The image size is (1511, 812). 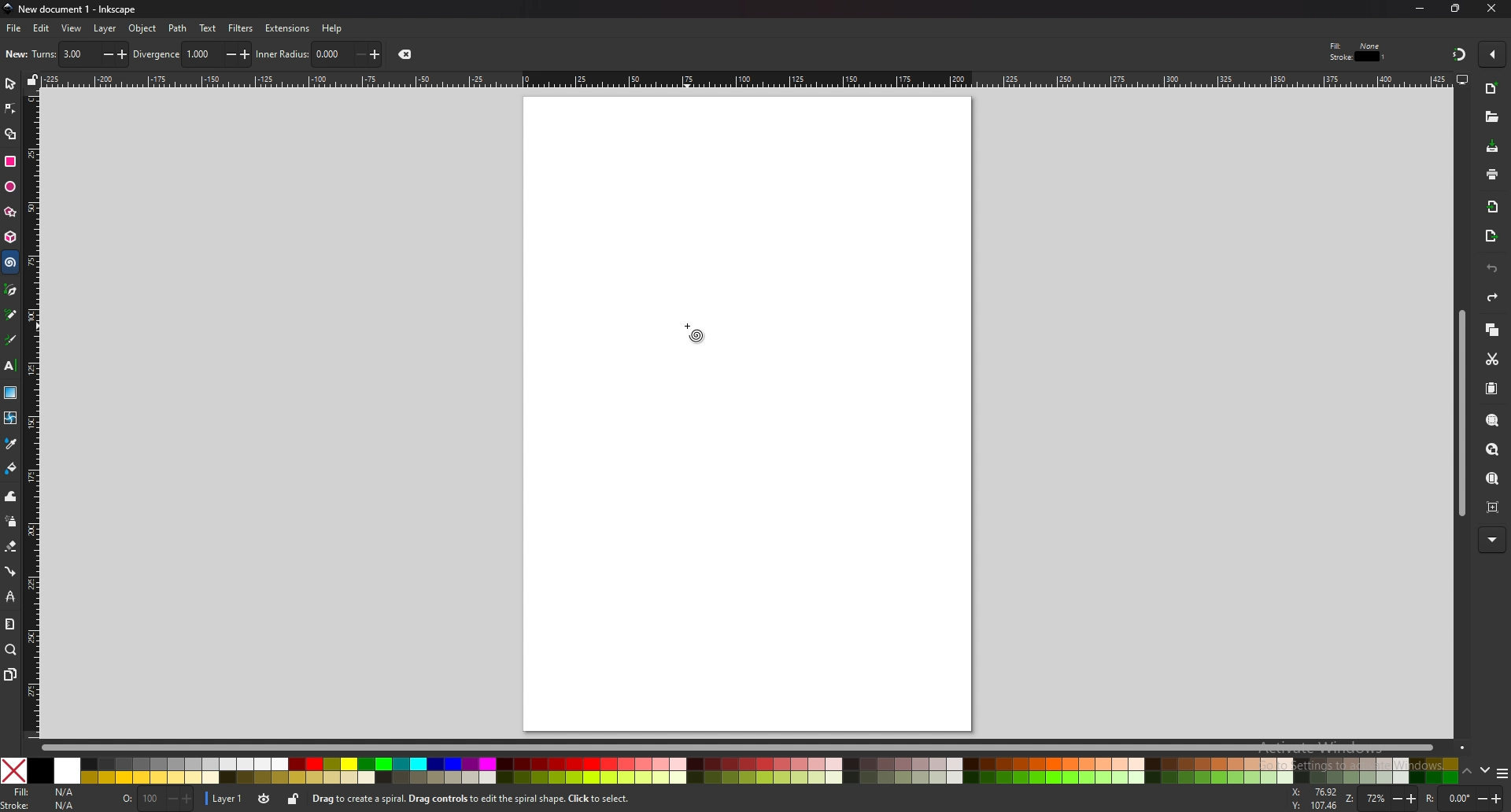 I want to click on paint bucket, so click(x=10, y=468).